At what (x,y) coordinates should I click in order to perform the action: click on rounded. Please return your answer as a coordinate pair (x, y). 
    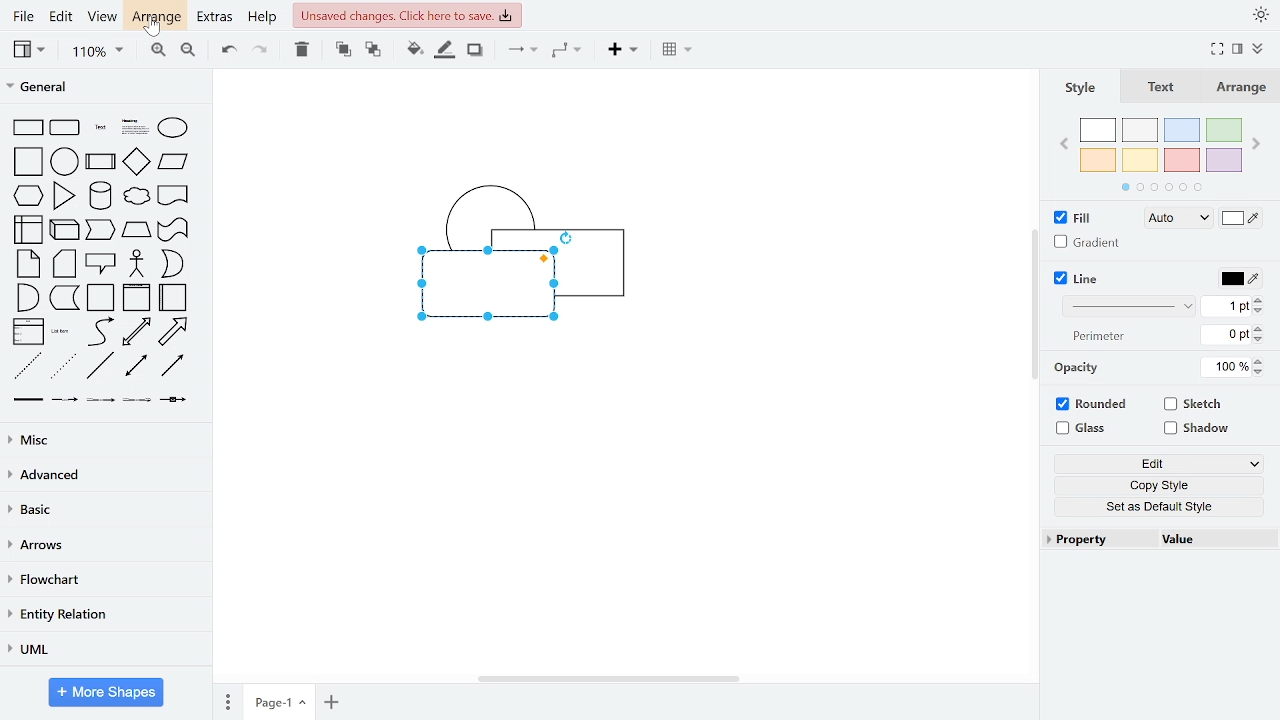
    Looking at the image, I should click on (1091, 404).